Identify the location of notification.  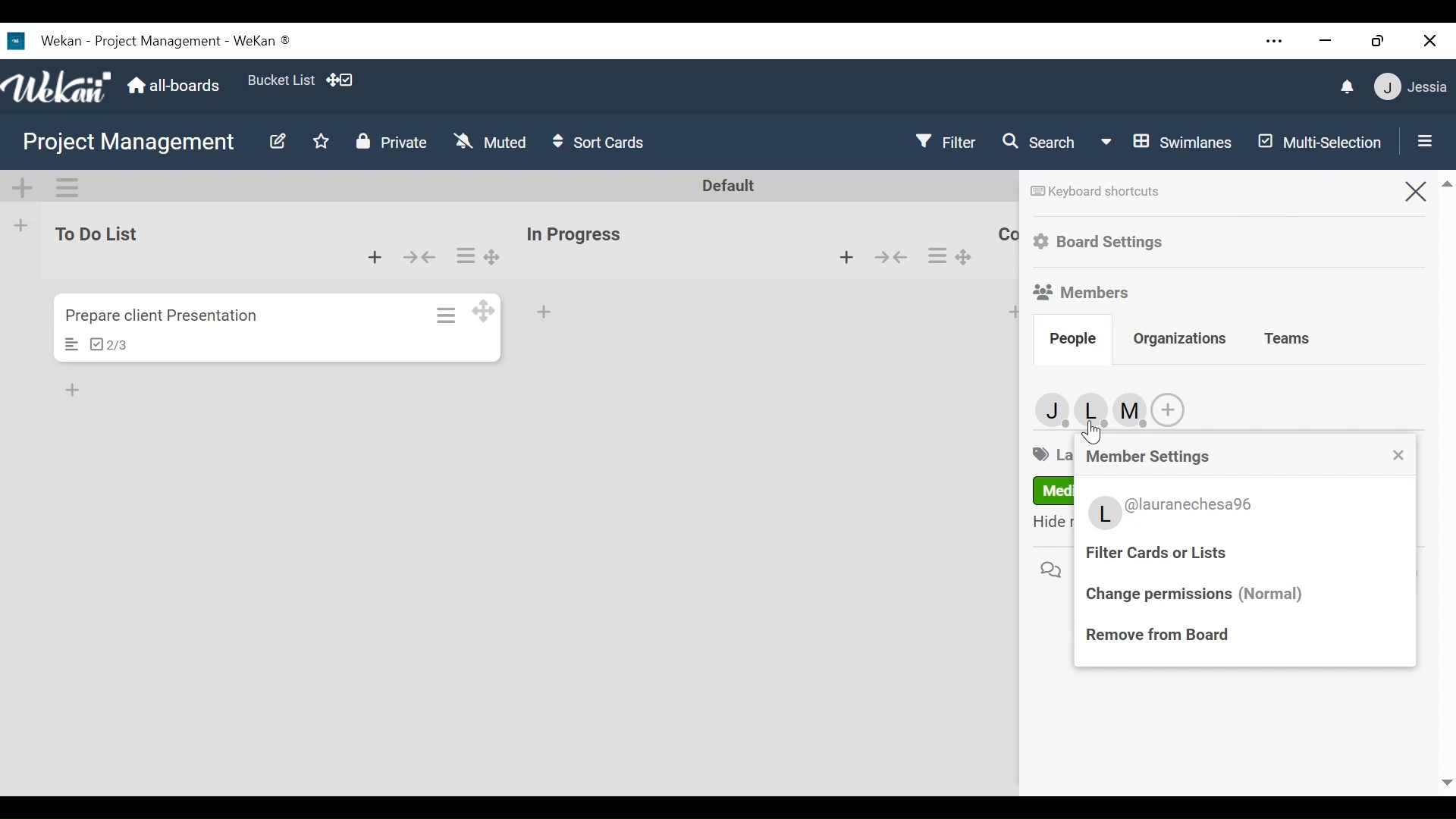
(1348, 88).